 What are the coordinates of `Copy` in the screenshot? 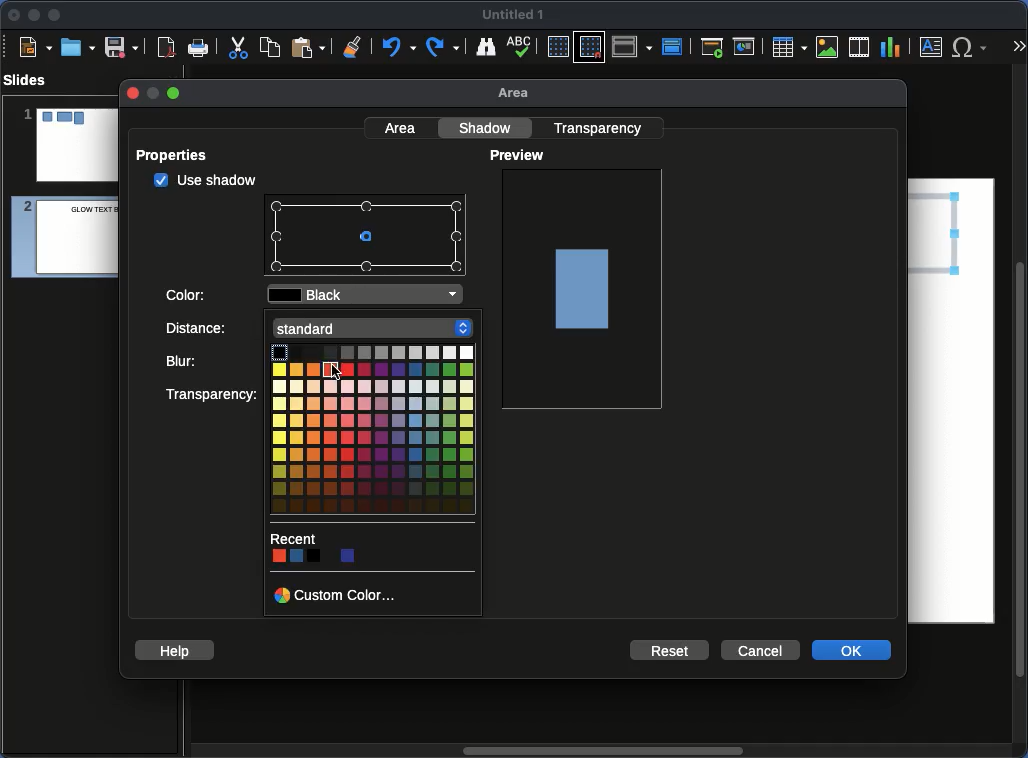 It's located at (270, 46).